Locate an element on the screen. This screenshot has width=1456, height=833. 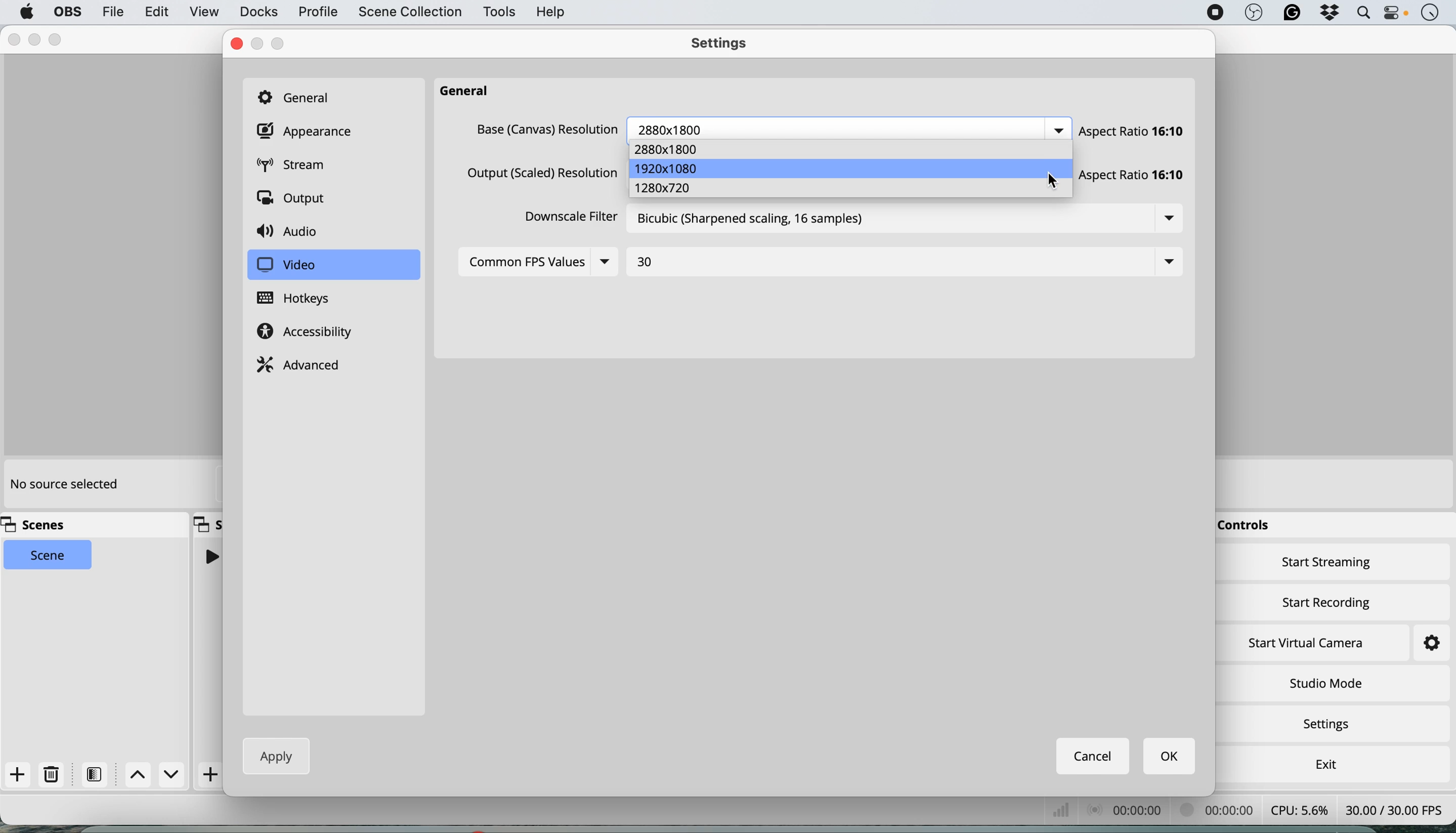
help is located at coordinates (552, 11).